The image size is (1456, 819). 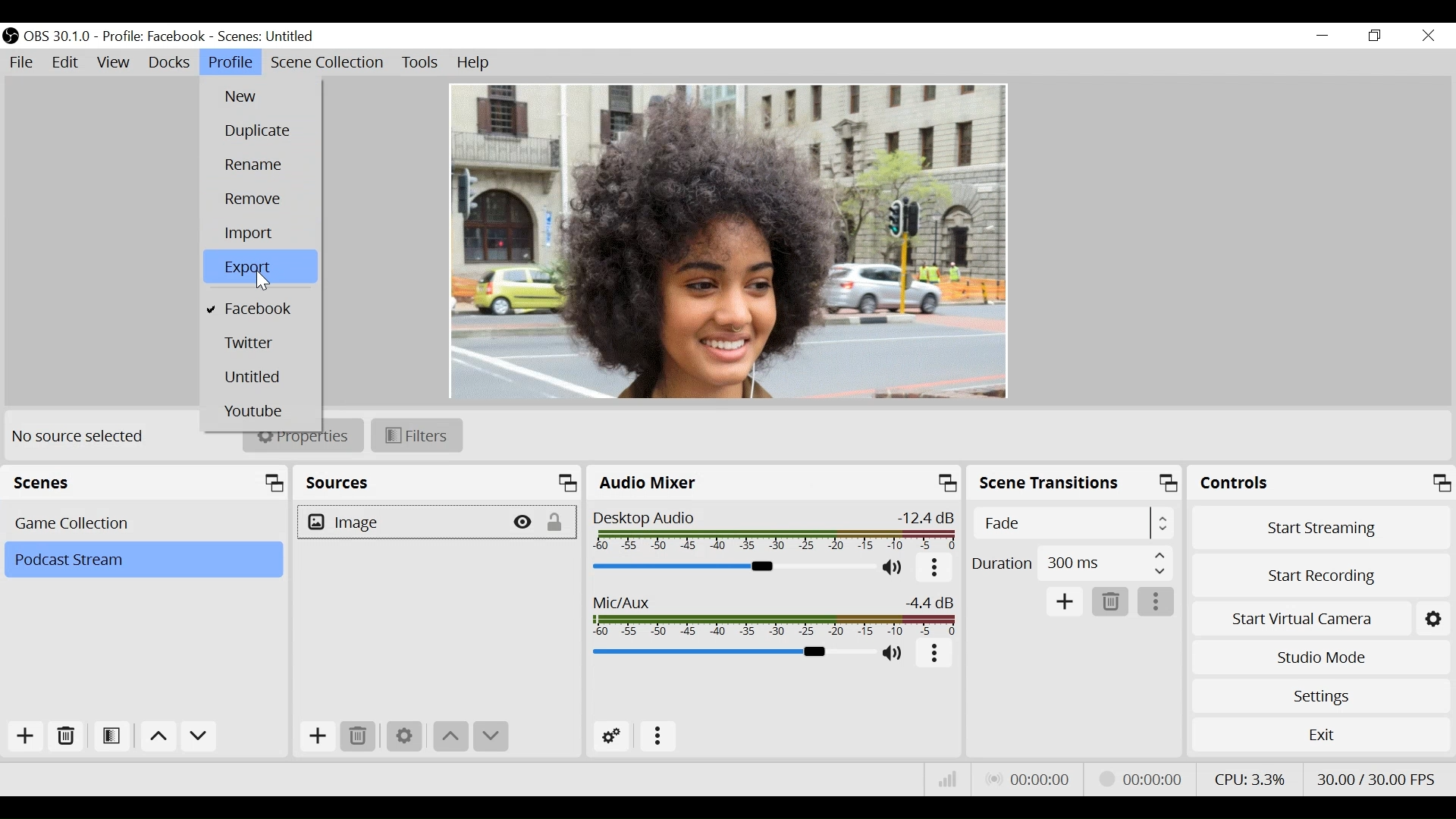 What do you see at coordinates (1073, 525) in the screenshot?
I see `Select Scene Transition` at bounding box center [1073, 525].